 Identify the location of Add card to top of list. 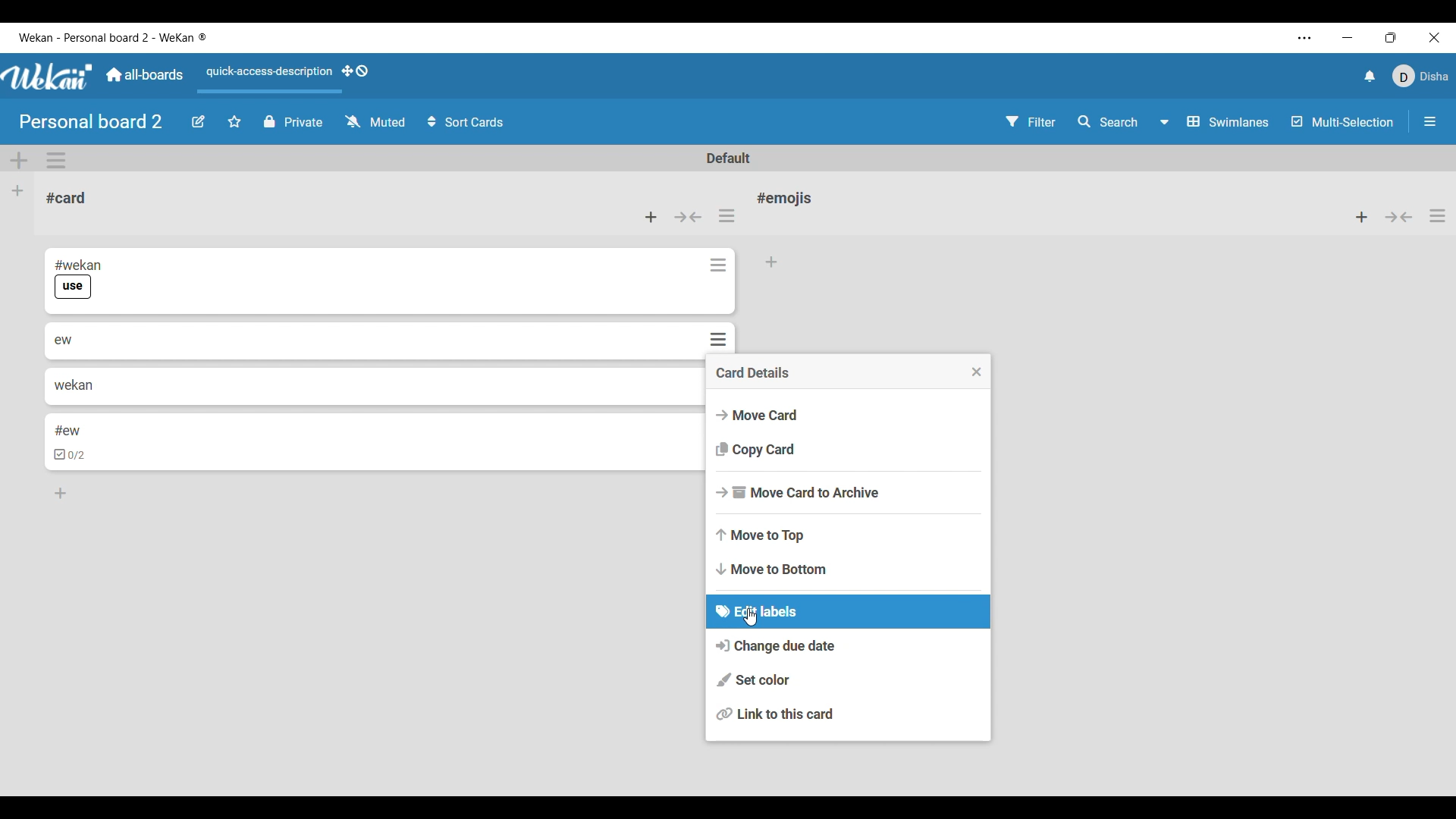
(651, 217).